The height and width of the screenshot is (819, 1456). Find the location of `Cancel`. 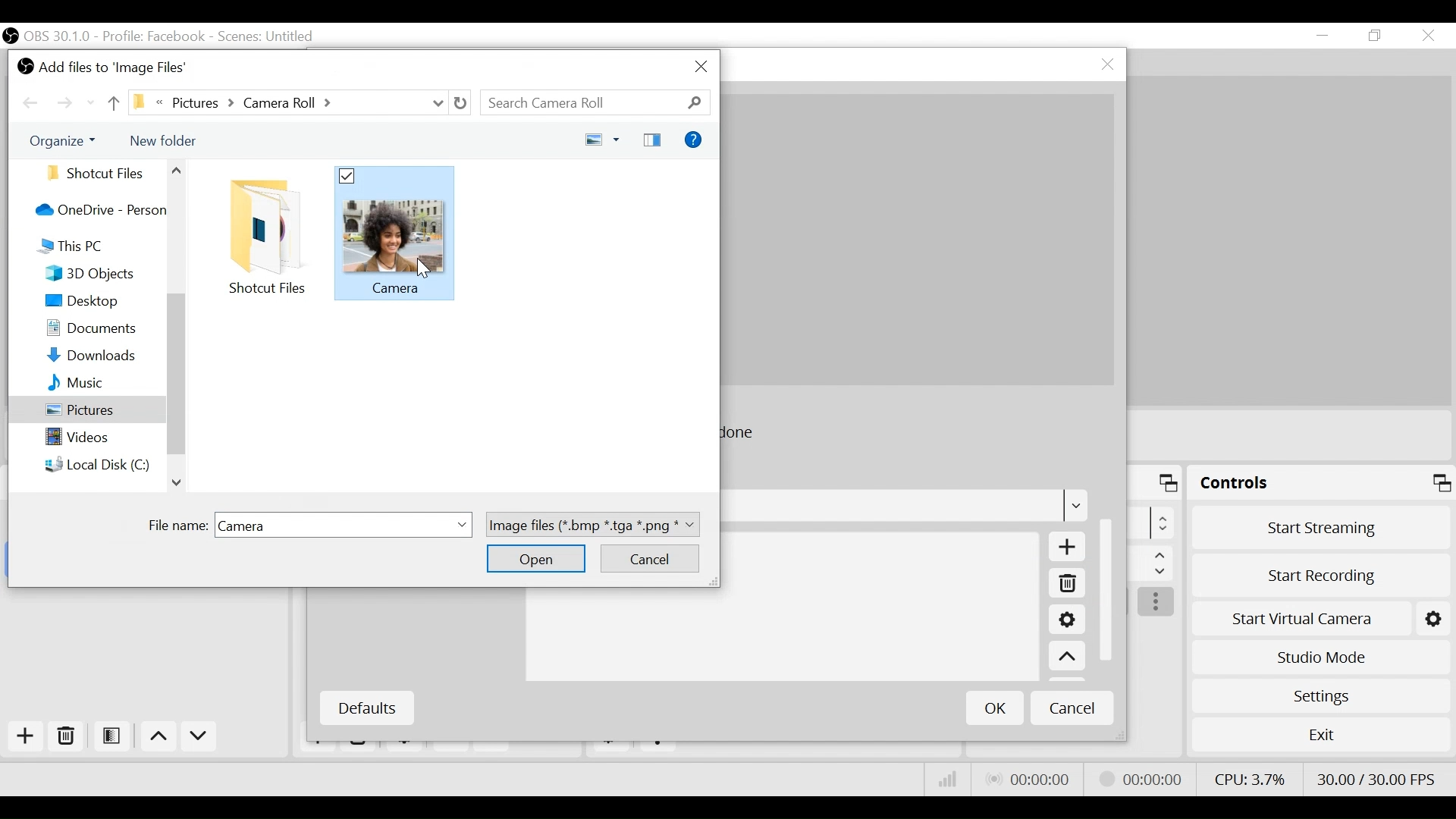

Cancel is located at coordinates (1072, 707).